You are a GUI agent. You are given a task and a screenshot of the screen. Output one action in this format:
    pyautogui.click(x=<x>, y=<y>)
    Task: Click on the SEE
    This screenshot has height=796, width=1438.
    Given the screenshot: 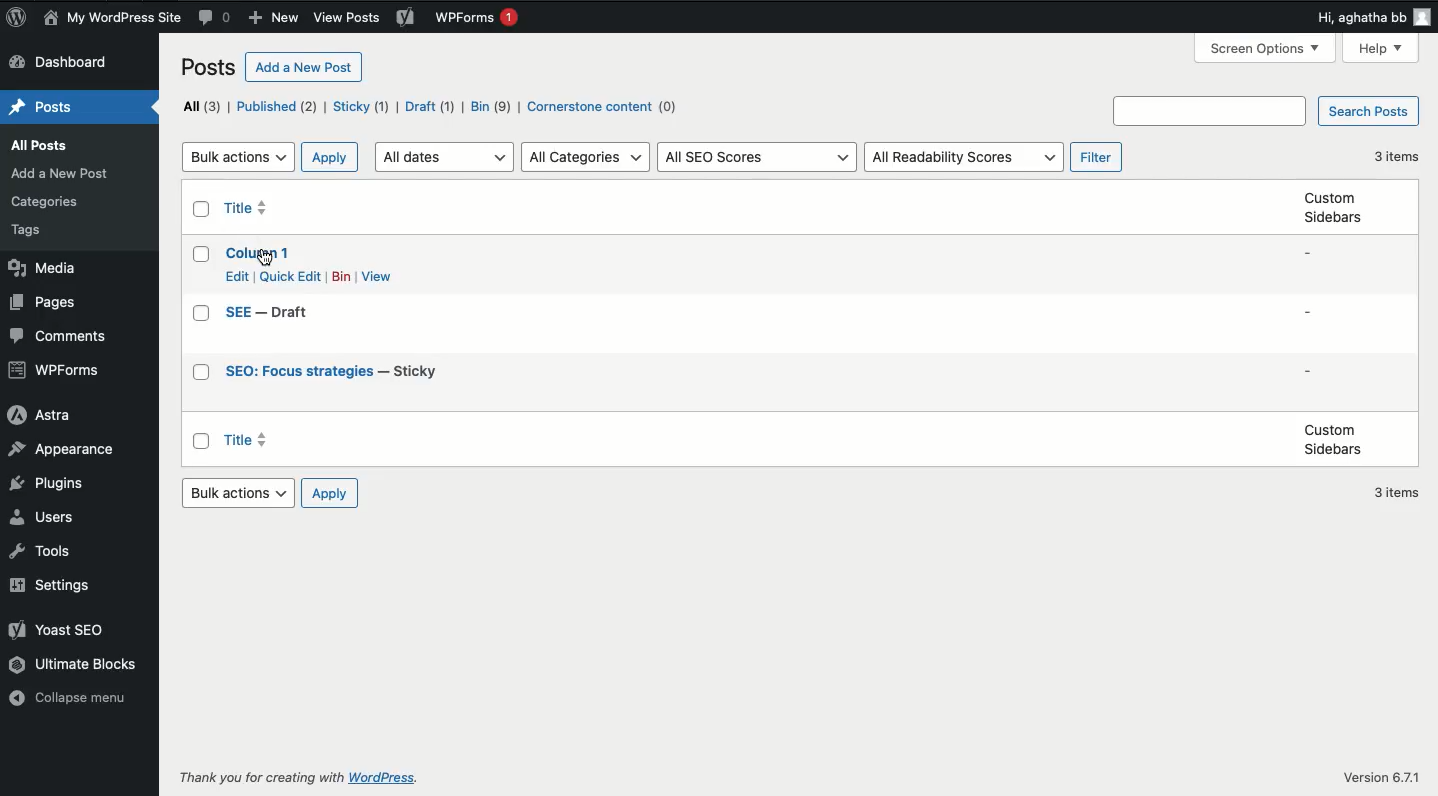 What is the action you would take?
    pyautogui.click(x=294, y=313)
    